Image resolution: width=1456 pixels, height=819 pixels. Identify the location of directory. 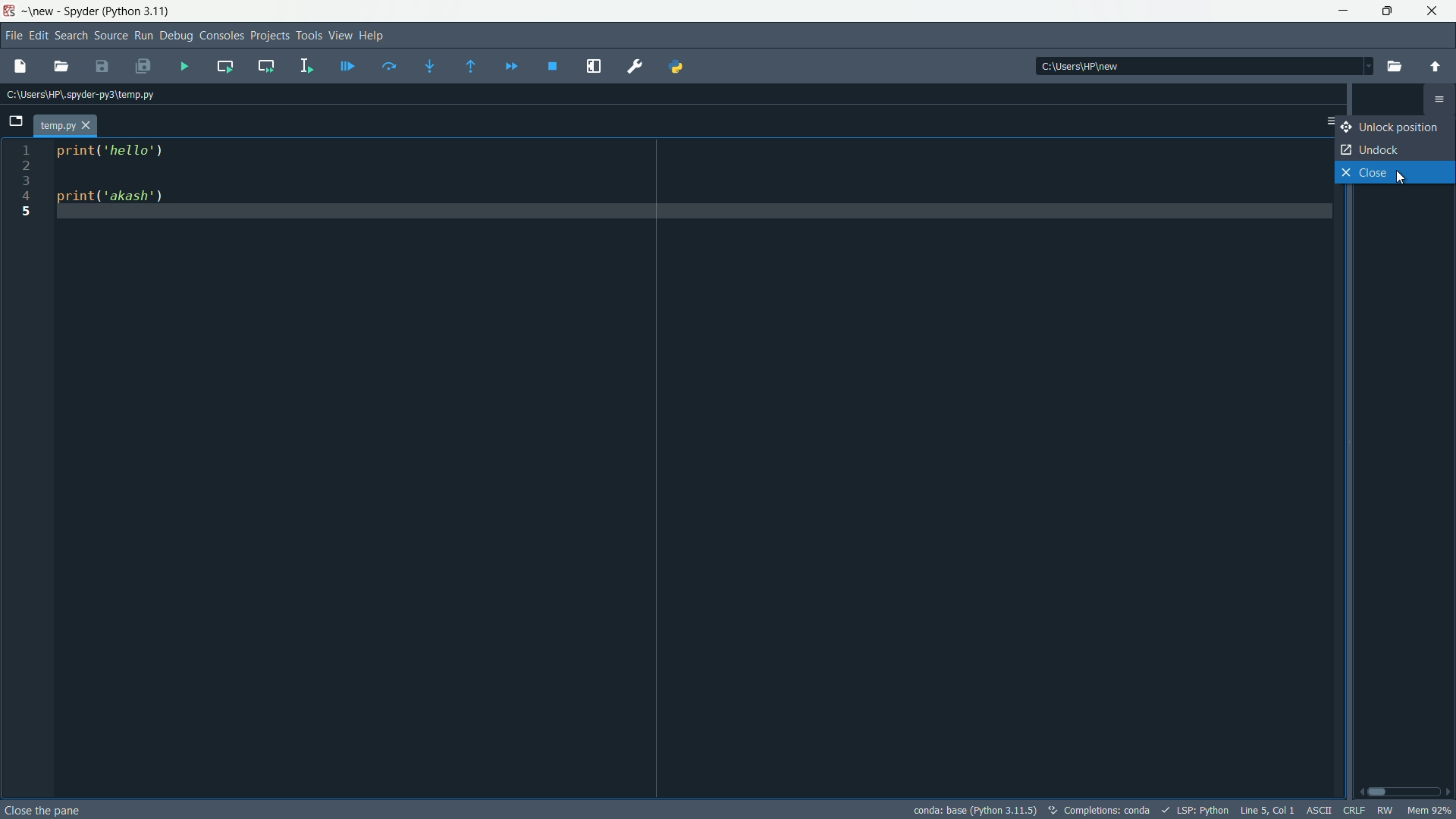
(1203, 67).